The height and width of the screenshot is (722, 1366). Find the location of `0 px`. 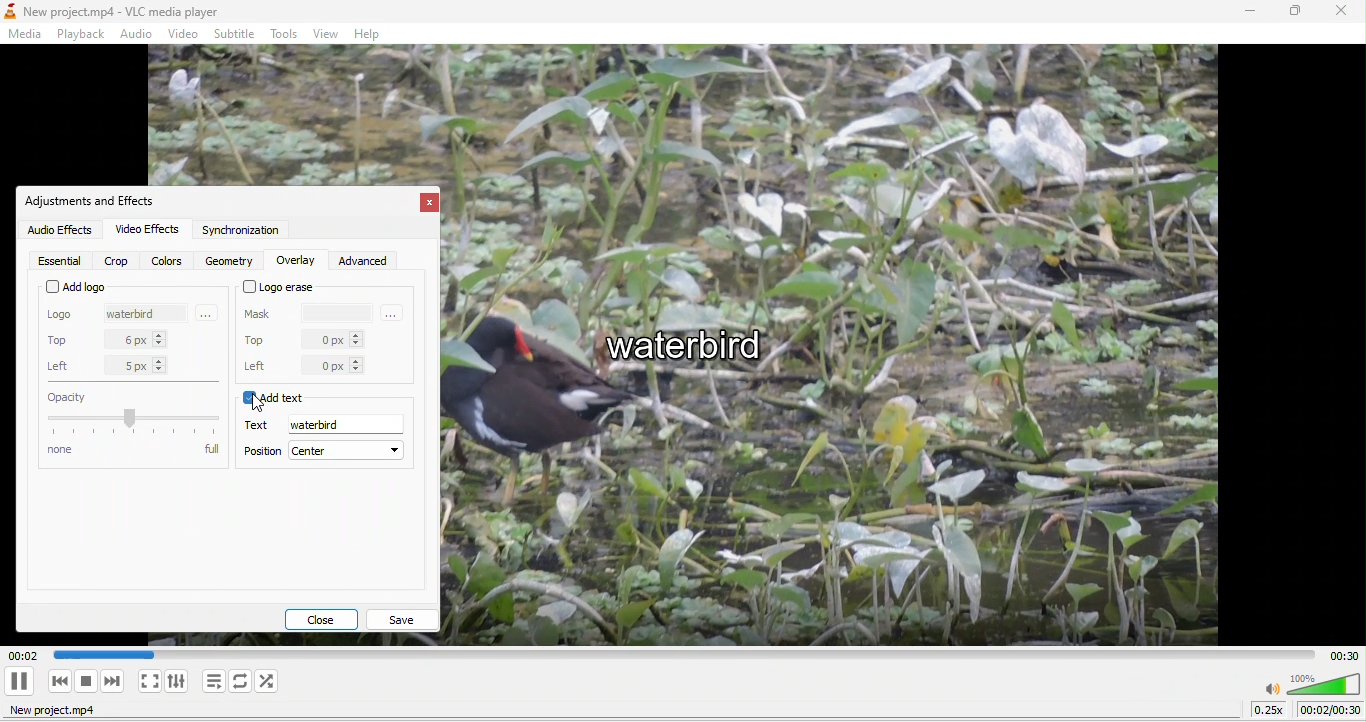

0 px is located at coordinates (339, 341).